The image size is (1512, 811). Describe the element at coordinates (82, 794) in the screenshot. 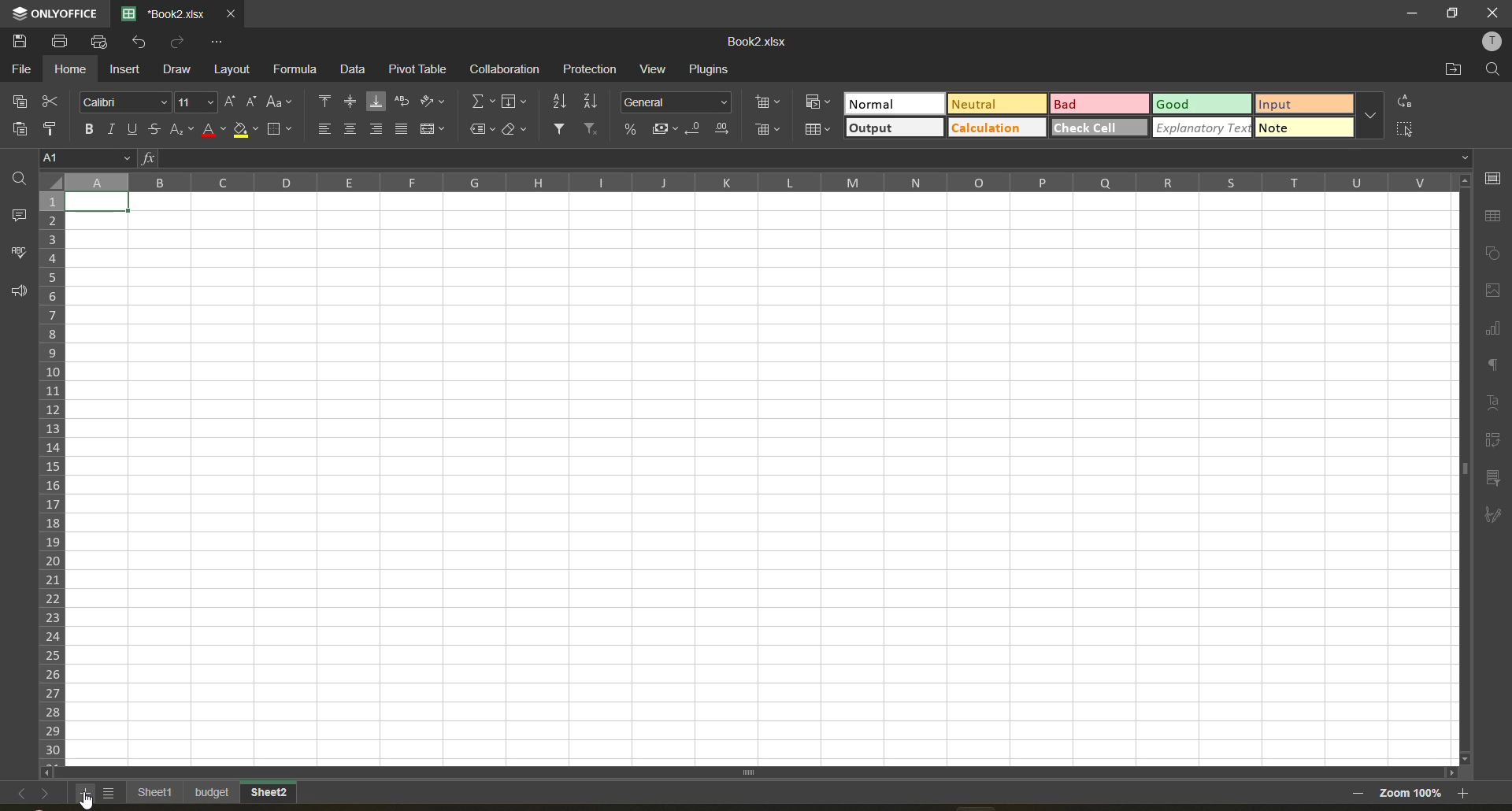

I see `add sheet` at that location.